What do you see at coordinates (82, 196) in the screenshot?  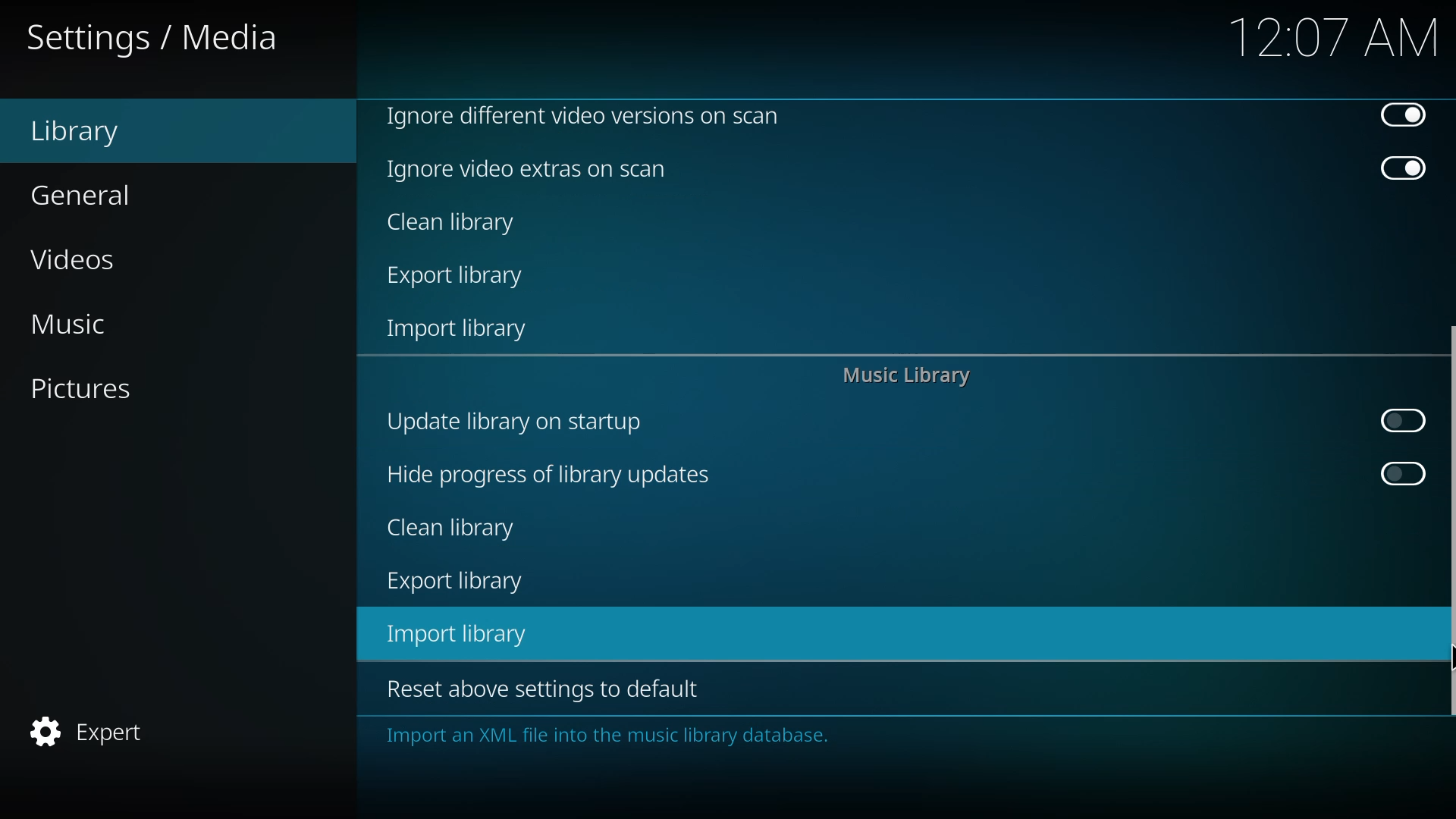 I see `general` at bounding box center [82, 196].